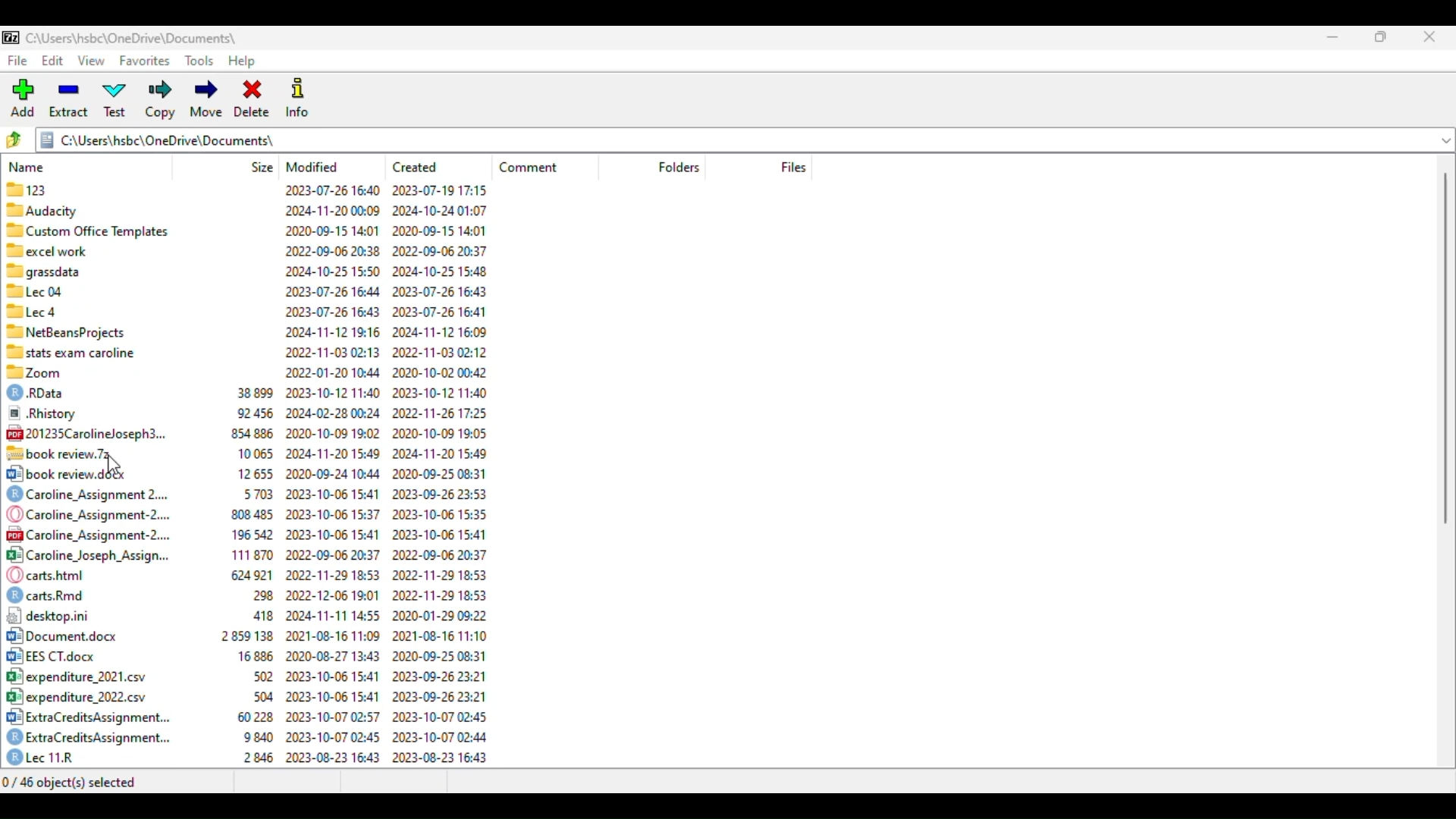 This screenshot has width=1456, height=819. What do you see at coordinates (247, 495) in the screenshot?
I see `) Caroline_Assignment 2.... 5703 2023-10-06 15:41 2023-09-26 23:53` at bounding box center [247, 495].